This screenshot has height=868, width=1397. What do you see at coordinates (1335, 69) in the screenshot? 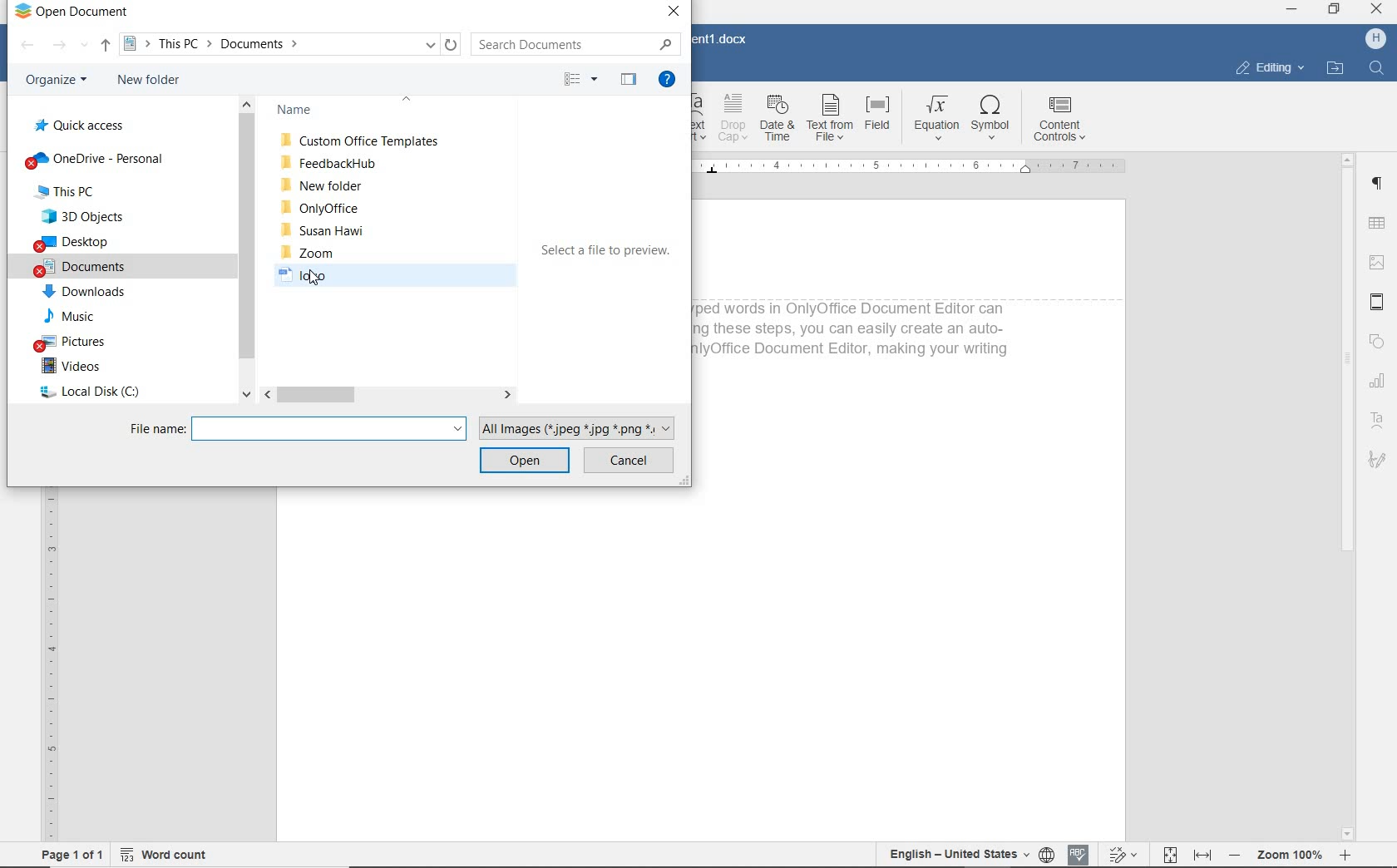
I see `OPEN FILE LOCTION` at bounding box center [1335, 69].